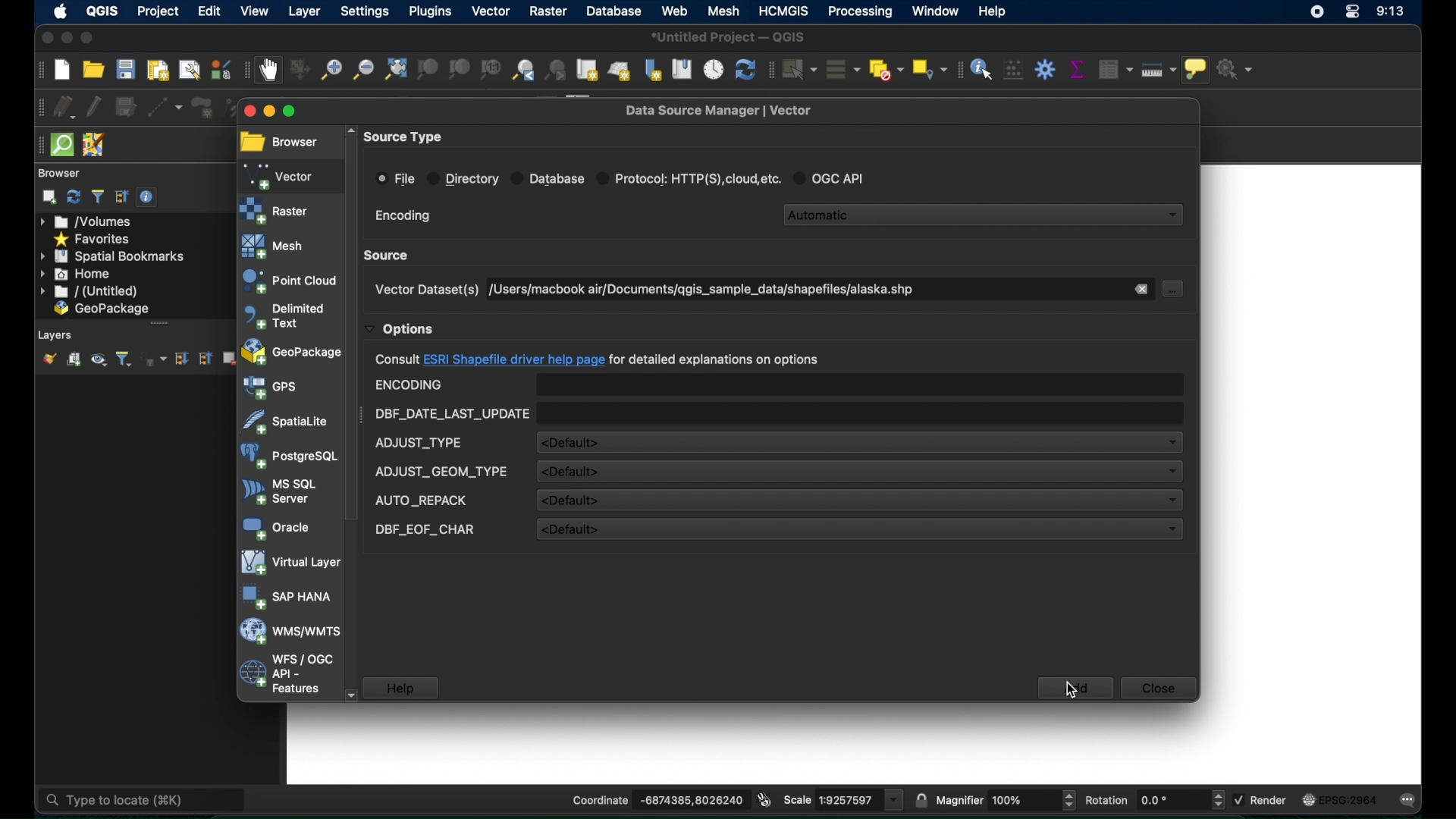 This screenshot has height=819, width=1456. I want to click on zoom full, so click(394, 70).